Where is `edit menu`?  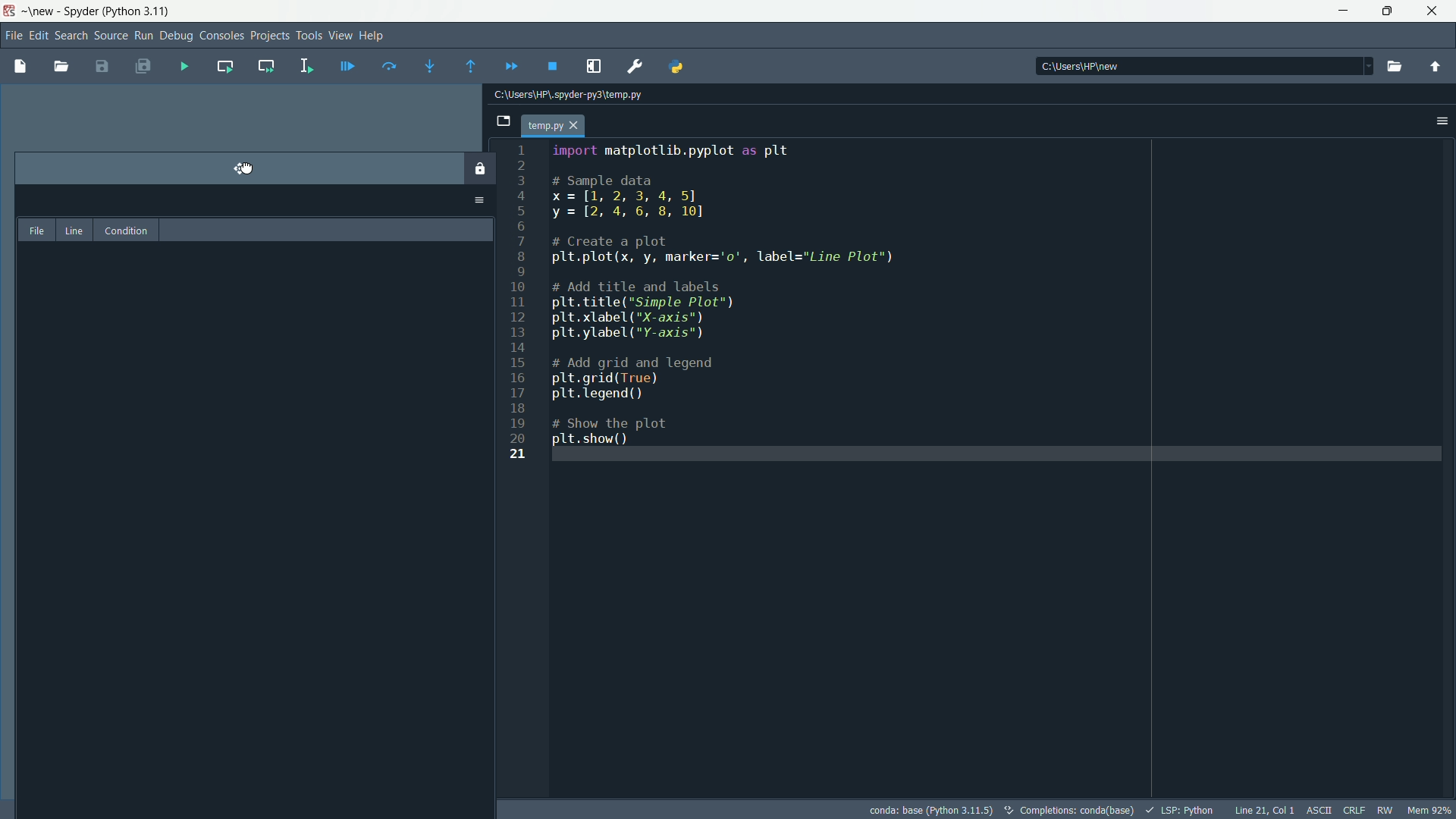
edit menu is located at coordinates (40, 34).